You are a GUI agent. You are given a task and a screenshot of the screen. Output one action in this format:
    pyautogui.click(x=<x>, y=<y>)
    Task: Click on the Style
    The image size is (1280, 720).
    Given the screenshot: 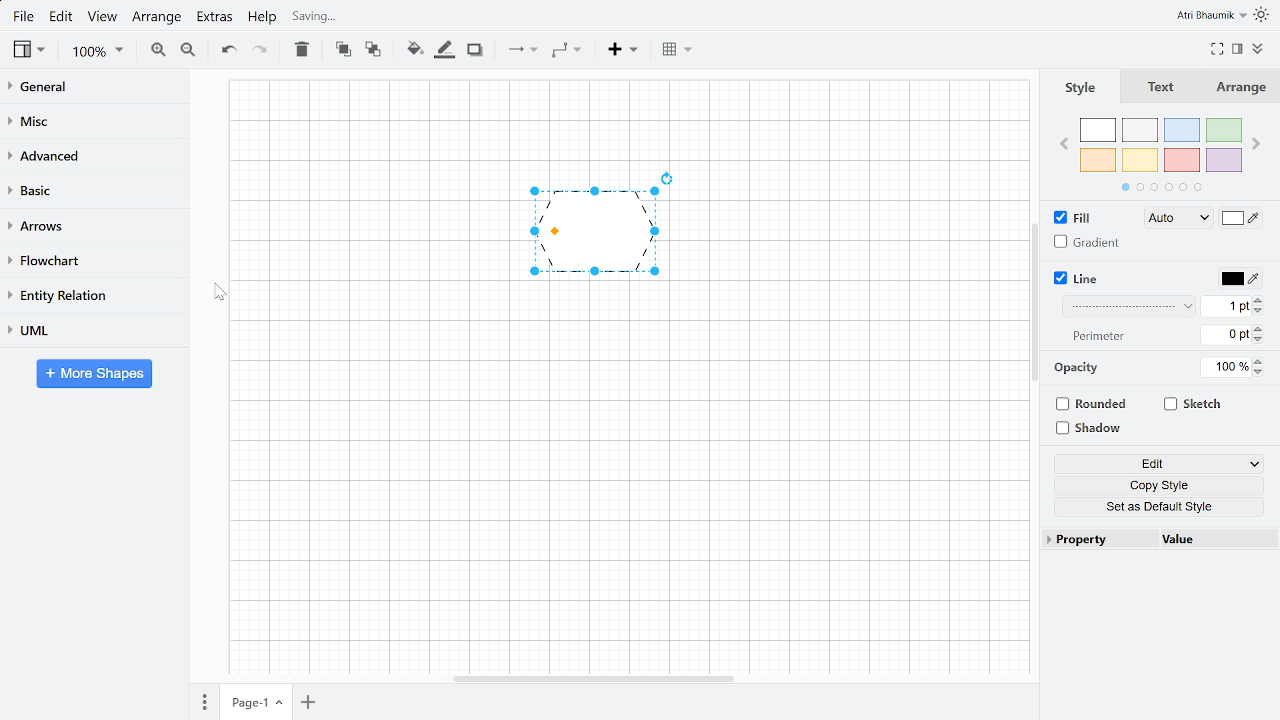 What is the action you would take?
    pyautogui.click(x=1074, y=88)
    